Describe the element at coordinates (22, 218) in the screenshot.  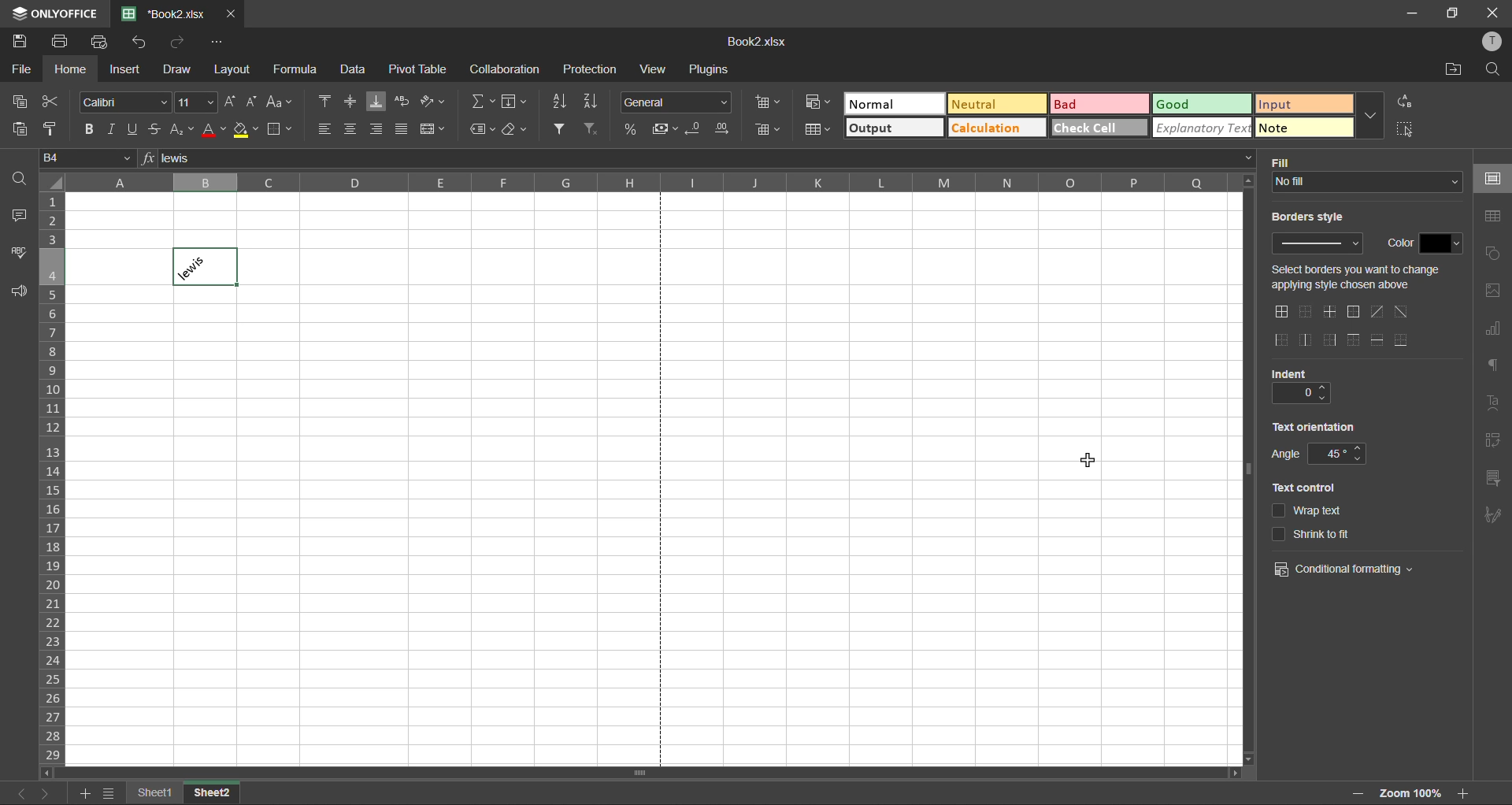
I see `comments` at that location.